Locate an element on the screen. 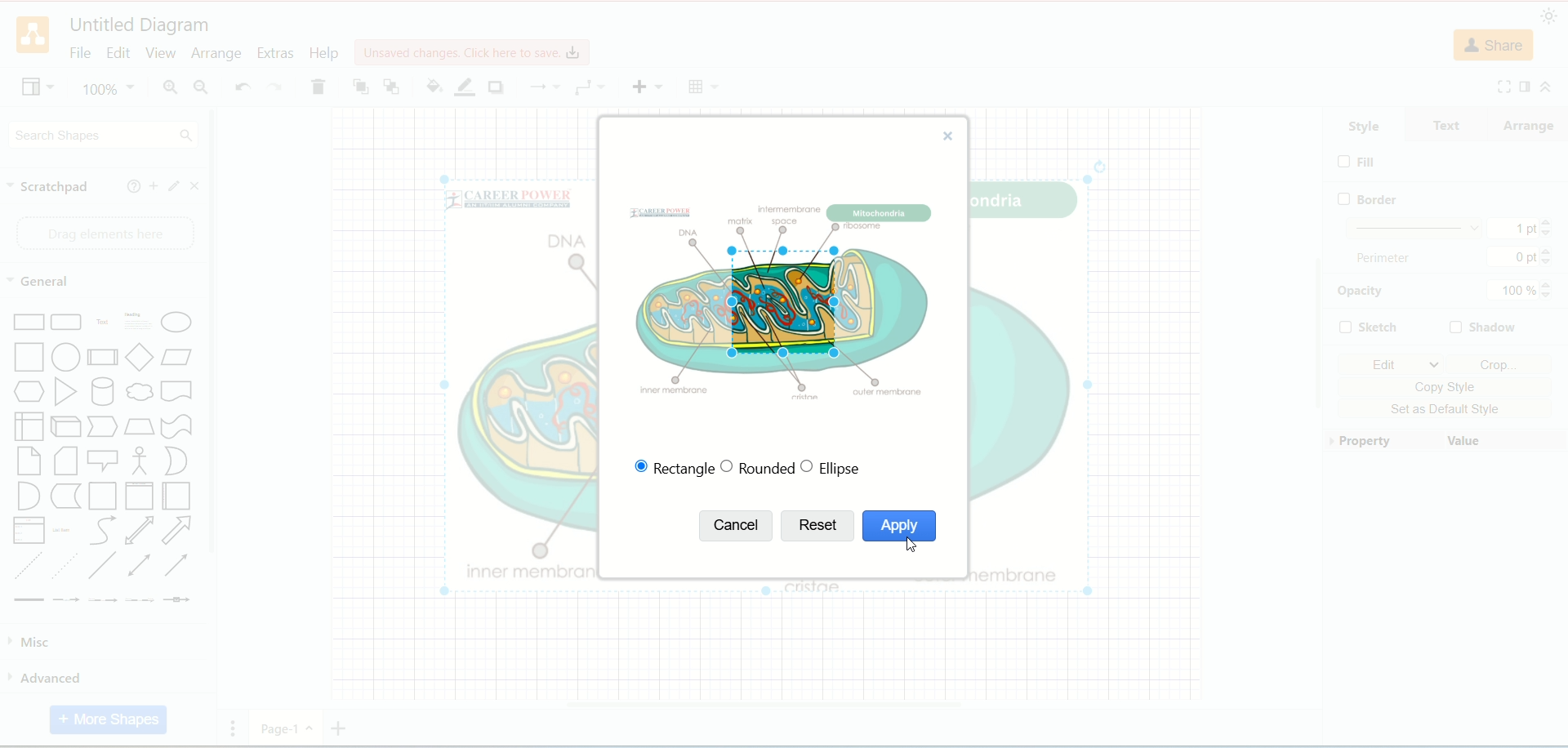 The width and height of the screenshot is (1568, 748). edit is located at coordinates (176, 186).